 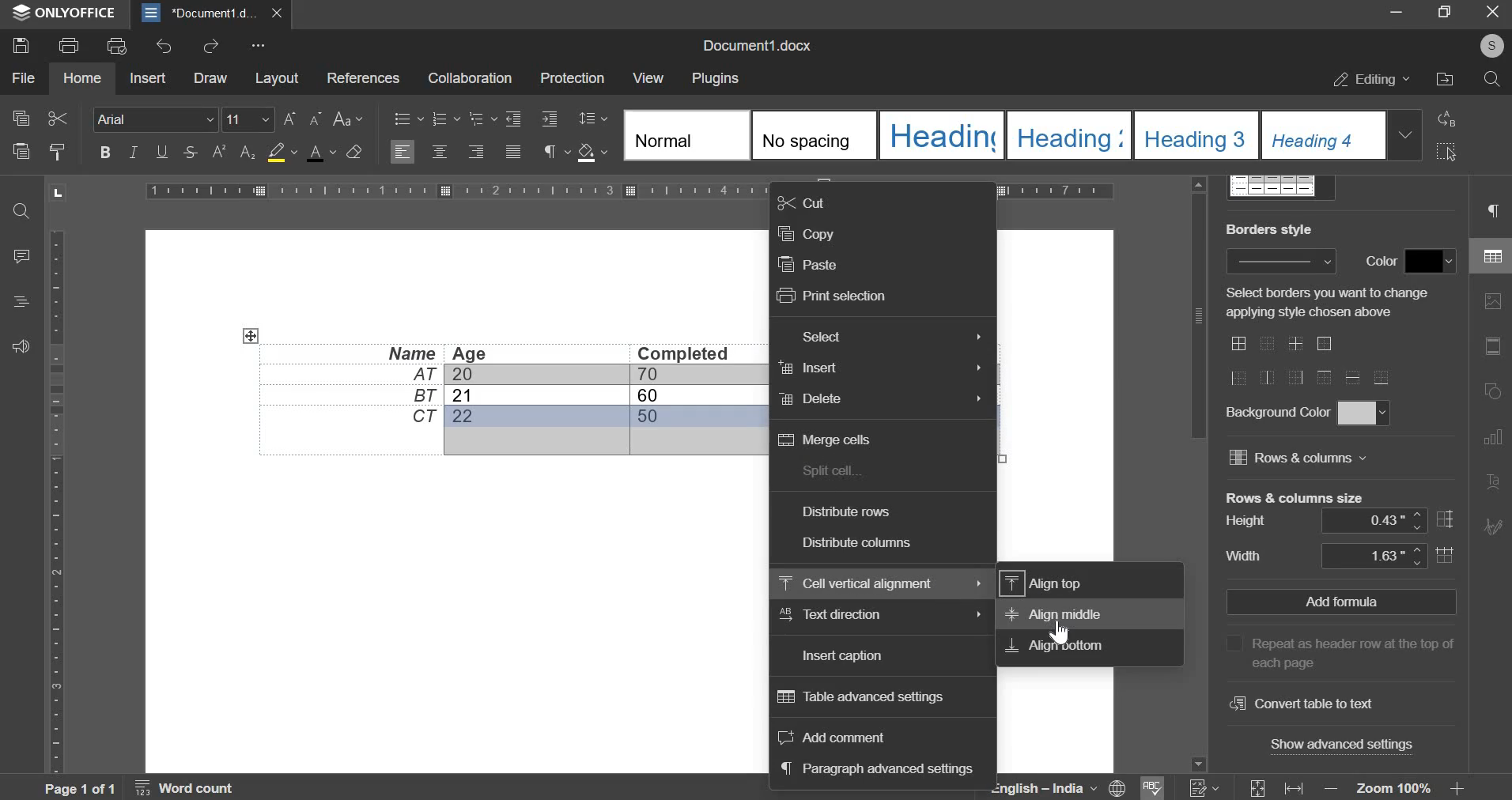 I want to click on distribute columns, so click(x=859, y=543).